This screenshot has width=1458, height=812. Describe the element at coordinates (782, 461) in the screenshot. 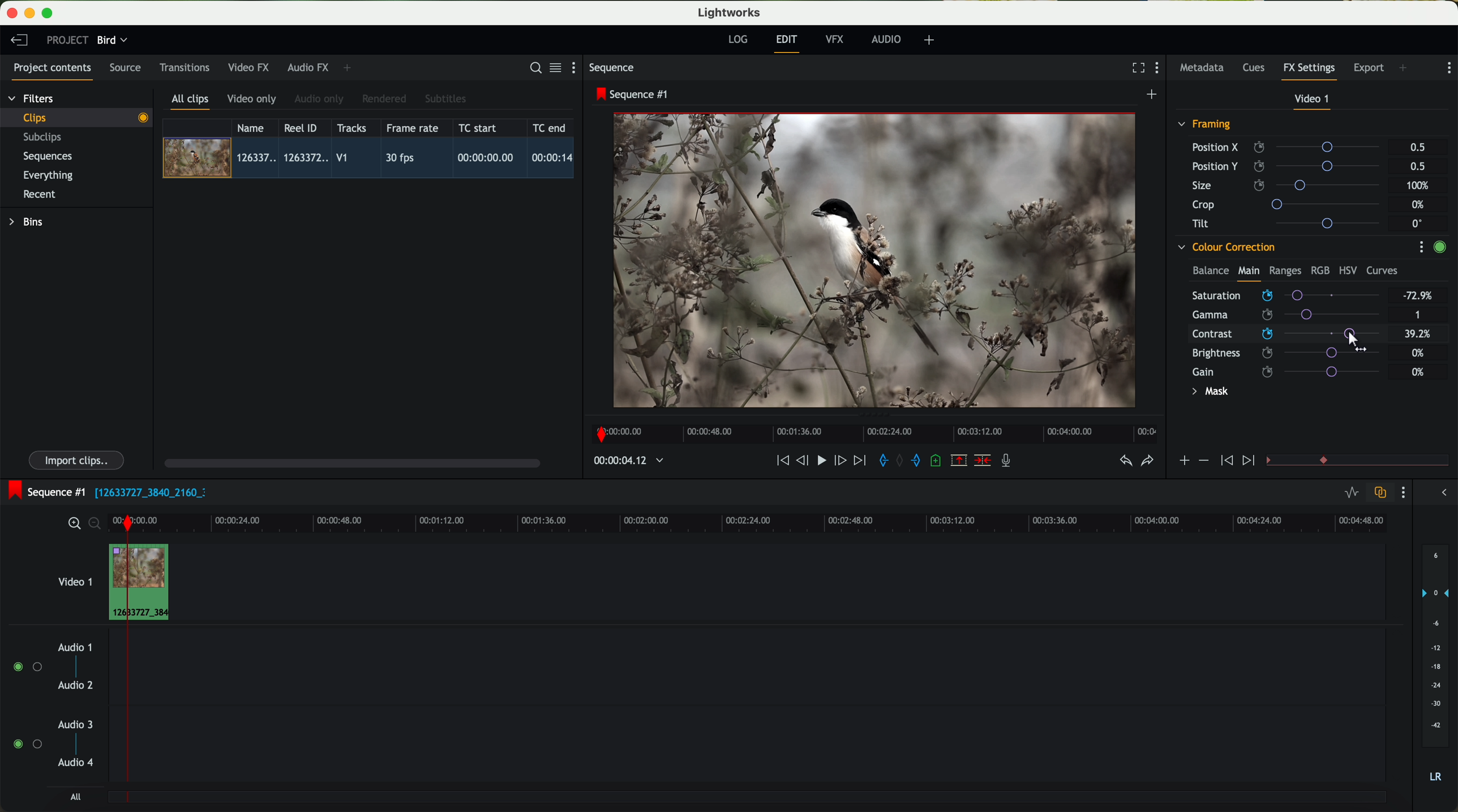

I see `rewind` at that location.